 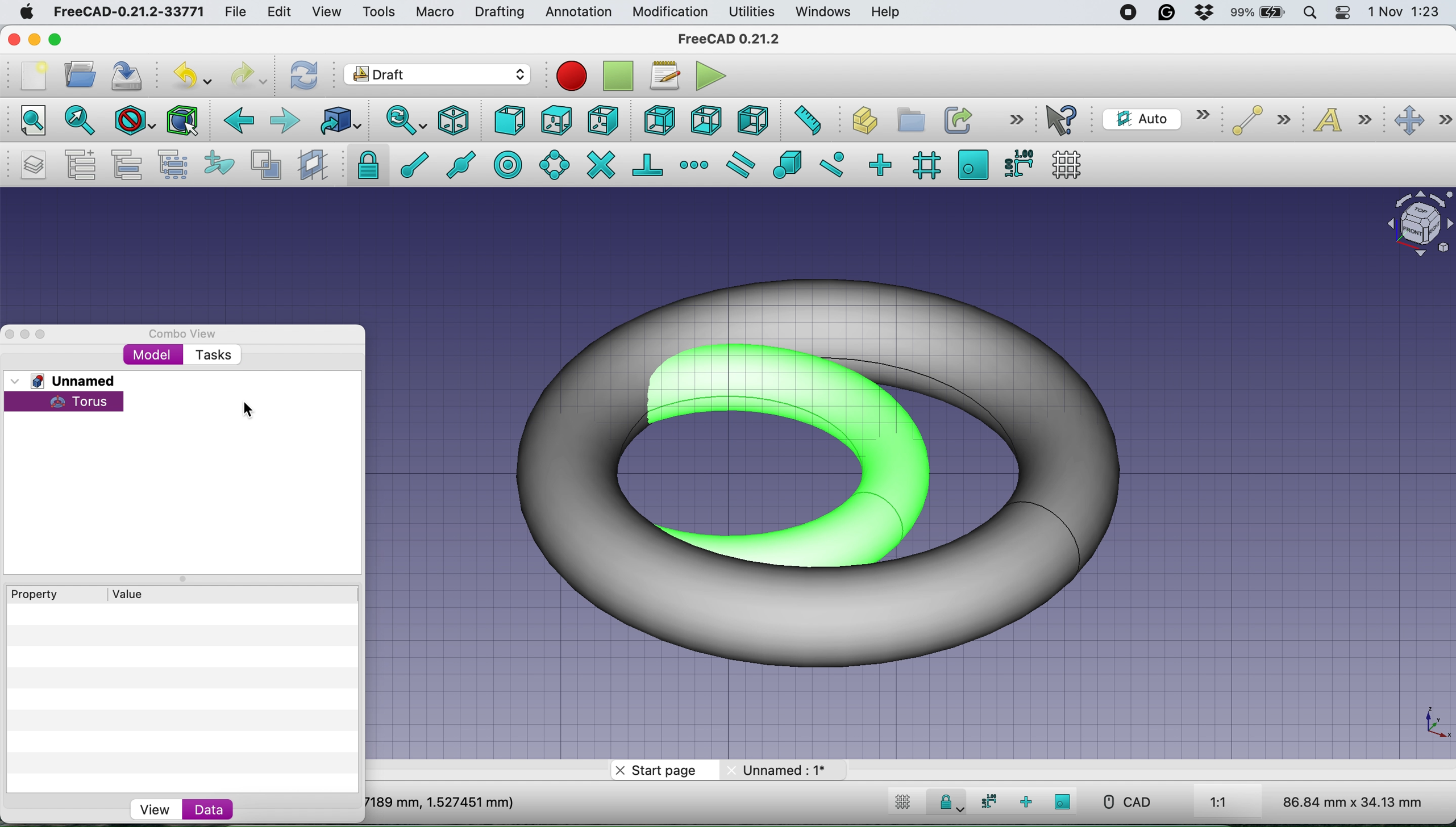 I want to click on toggle grid, so click(x=1071, y=164).